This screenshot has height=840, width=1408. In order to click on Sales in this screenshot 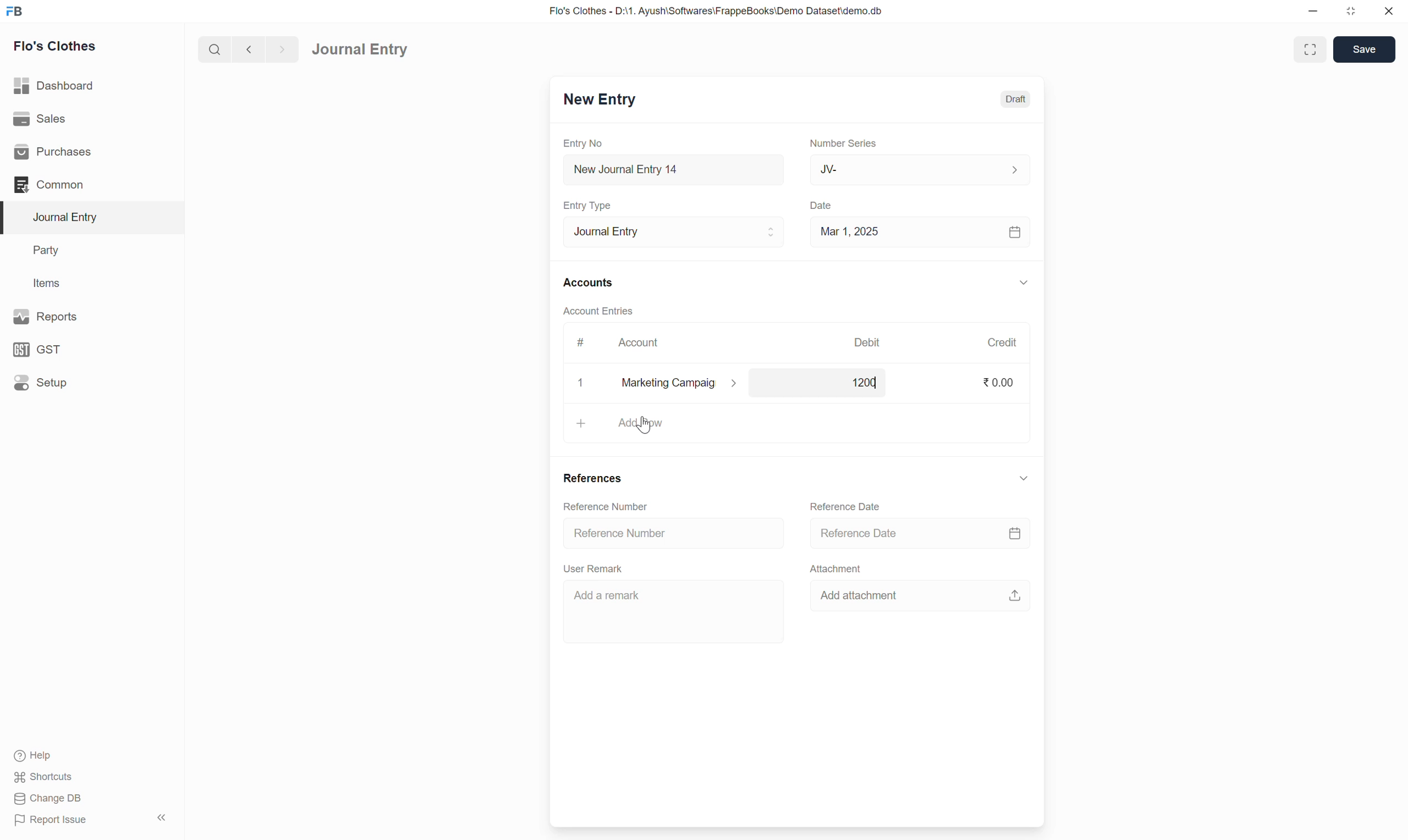, I will do `click(39, 117)`.